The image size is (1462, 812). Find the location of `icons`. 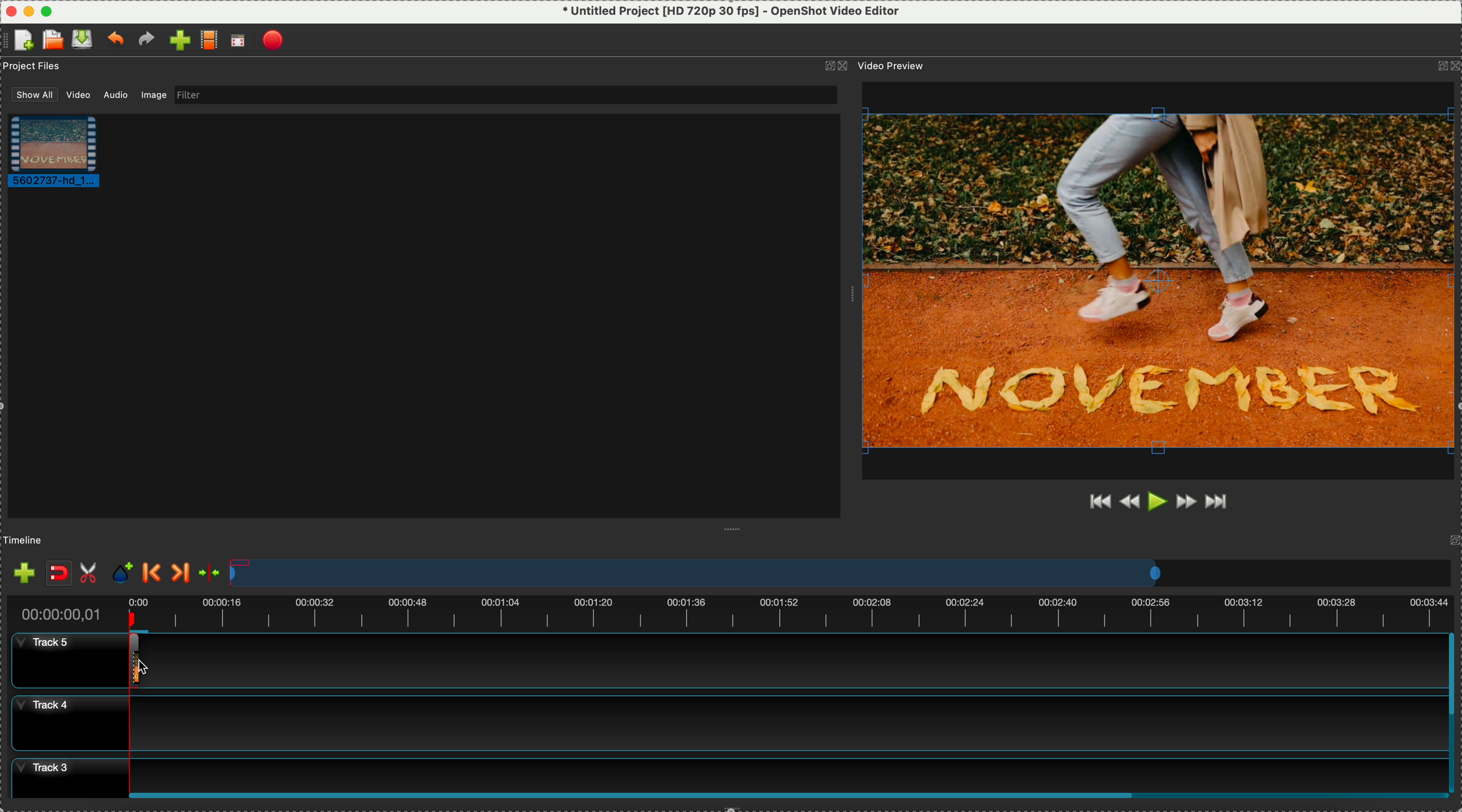

icons is located at coordinates (1447, 67).